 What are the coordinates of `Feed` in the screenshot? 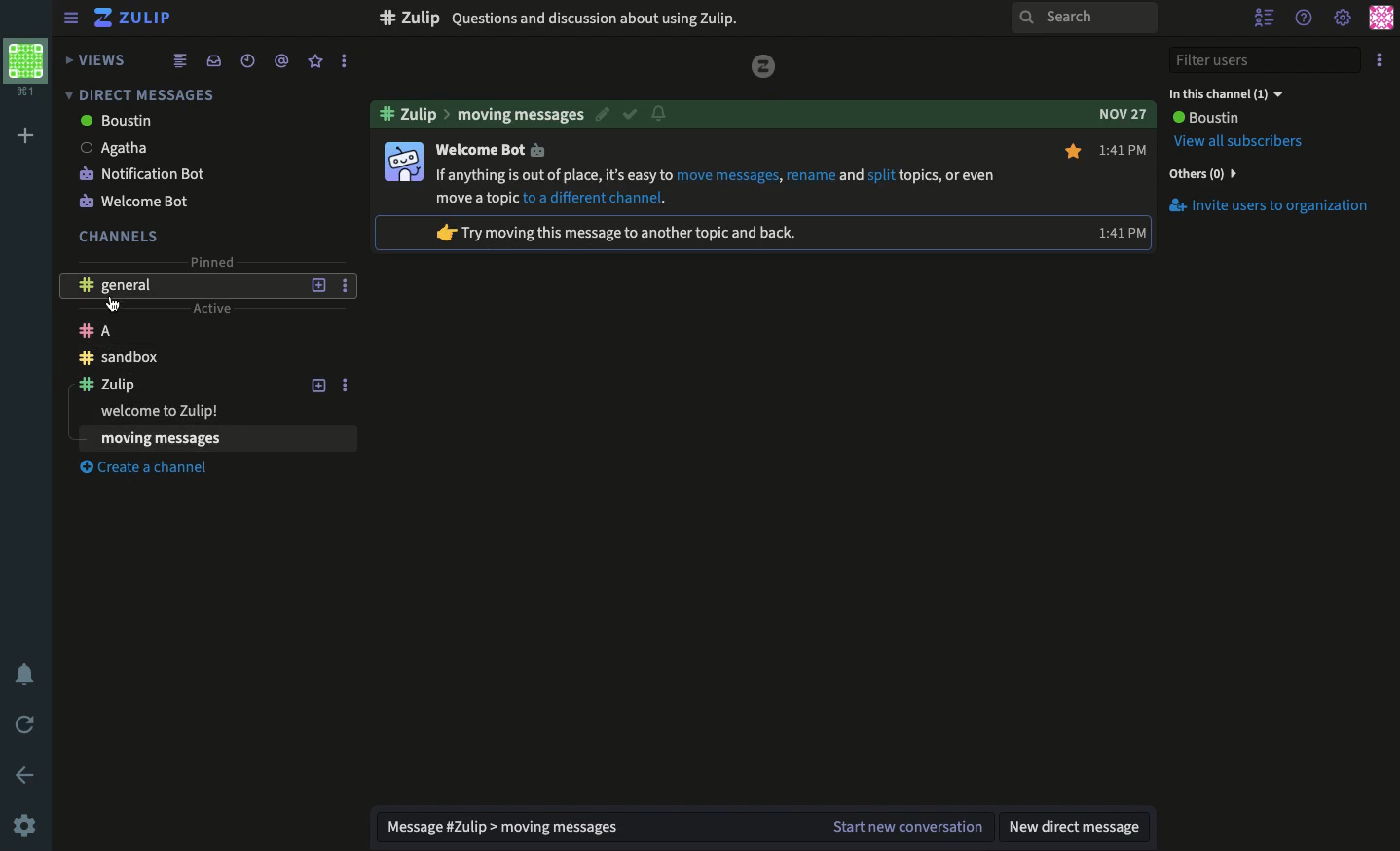 It's located at (180, 59).